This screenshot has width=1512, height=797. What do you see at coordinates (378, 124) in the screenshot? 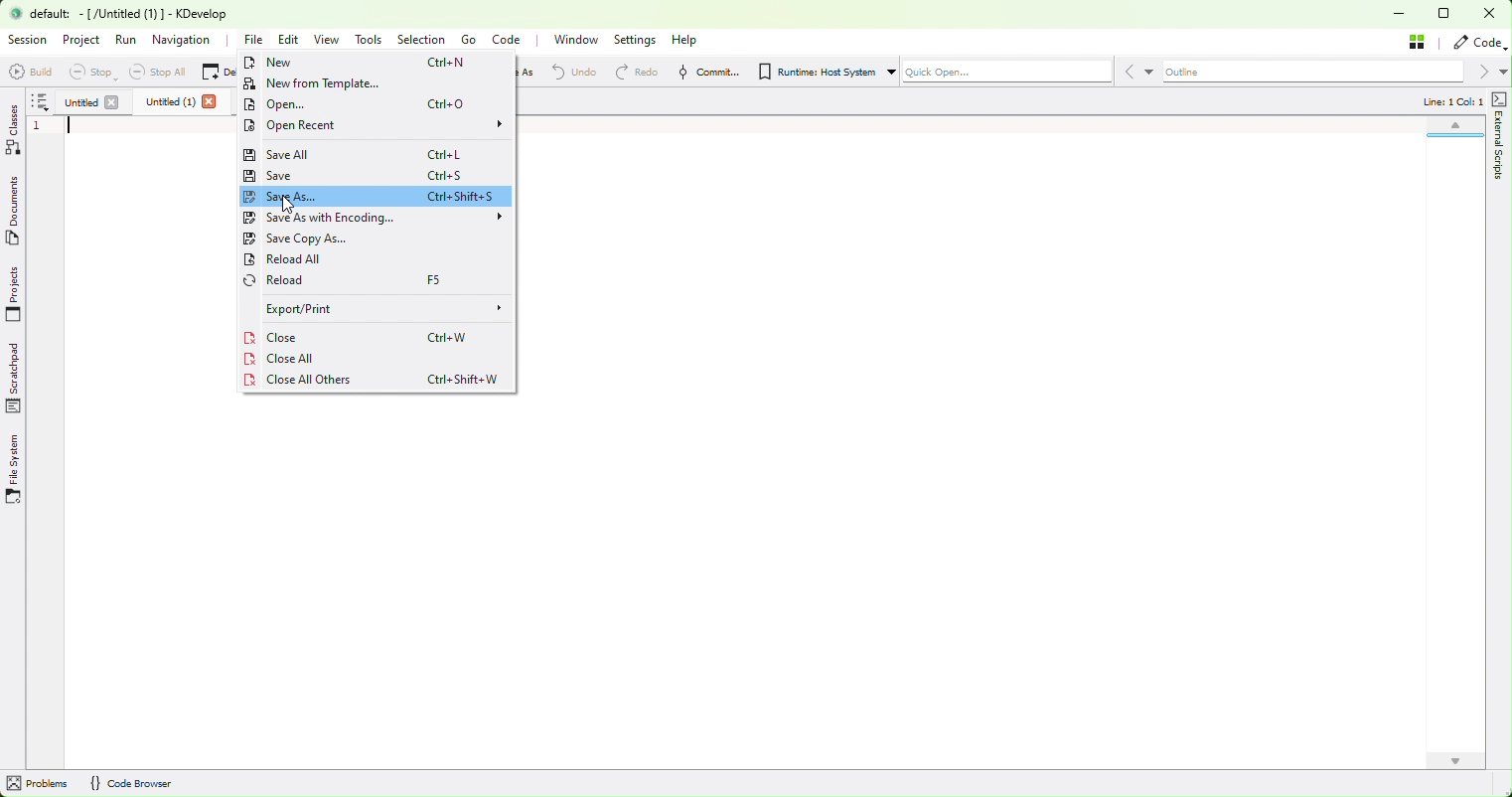
I see `Open recent` at bounding box center [378, 124].